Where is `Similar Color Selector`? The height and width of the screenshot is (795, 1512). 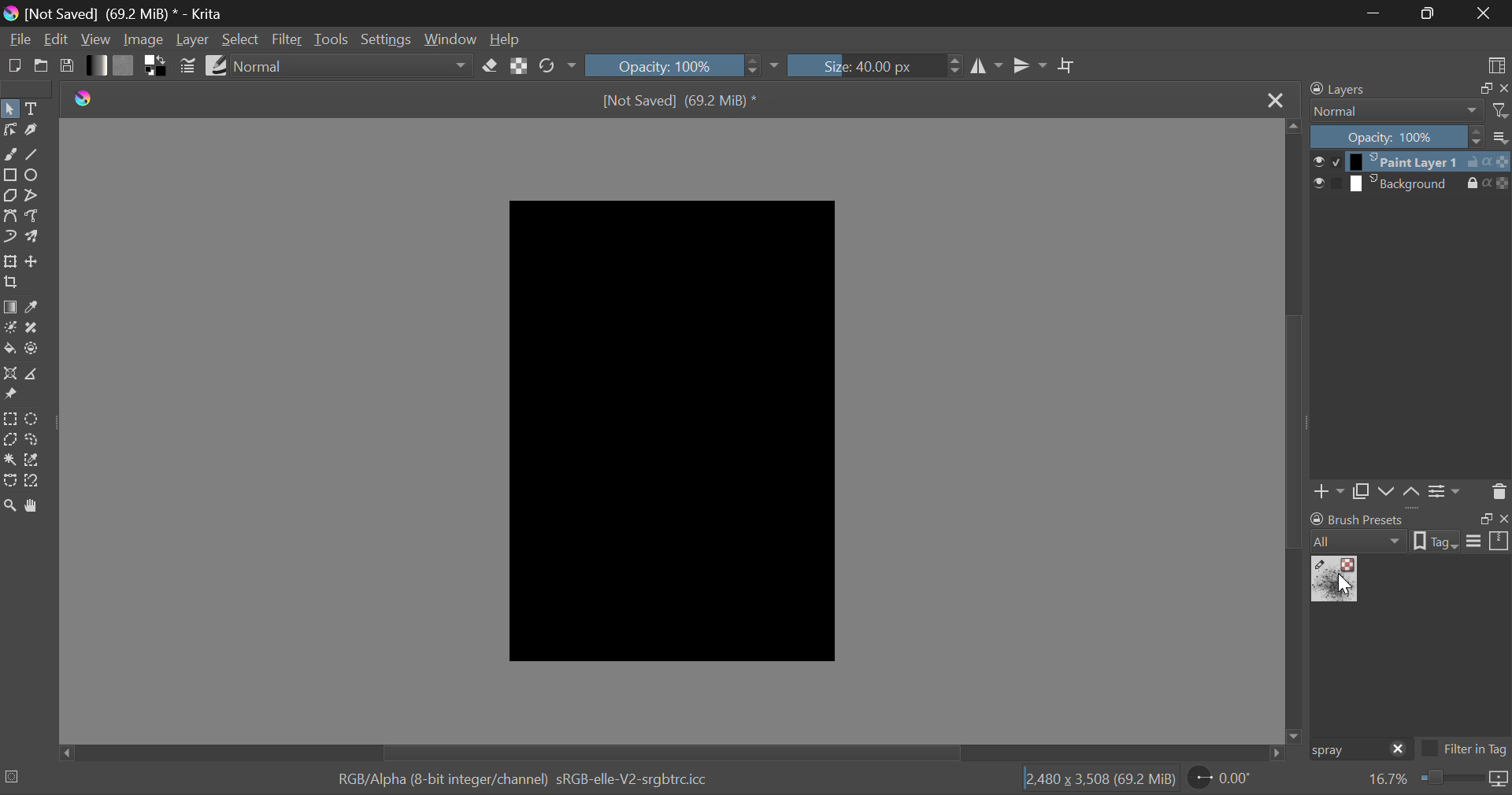
Similar Color Selector is located at coordinates (35, 460).